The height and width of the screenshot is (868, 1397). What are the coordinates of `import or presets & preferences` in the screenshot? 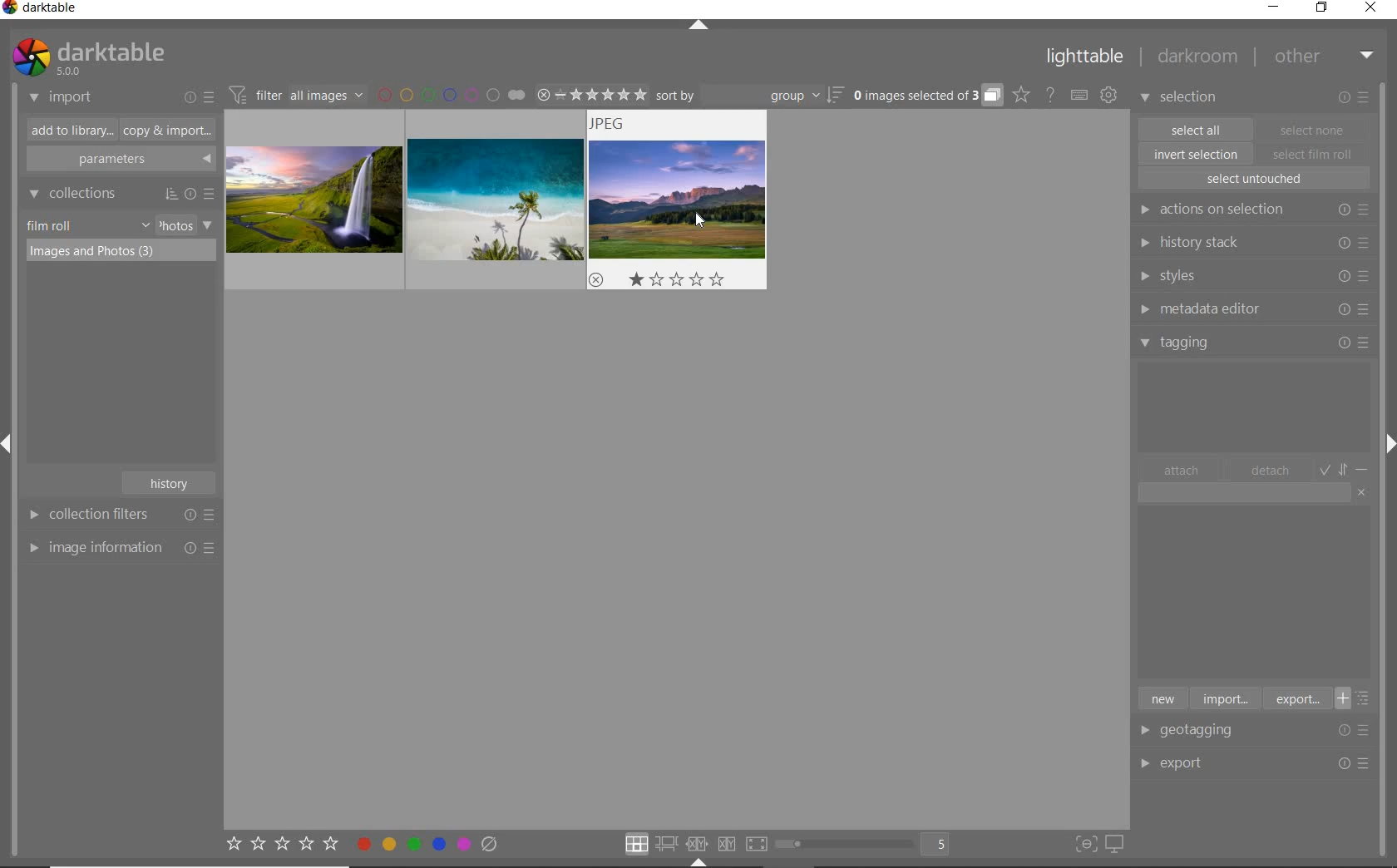 It's located at (199, 96).